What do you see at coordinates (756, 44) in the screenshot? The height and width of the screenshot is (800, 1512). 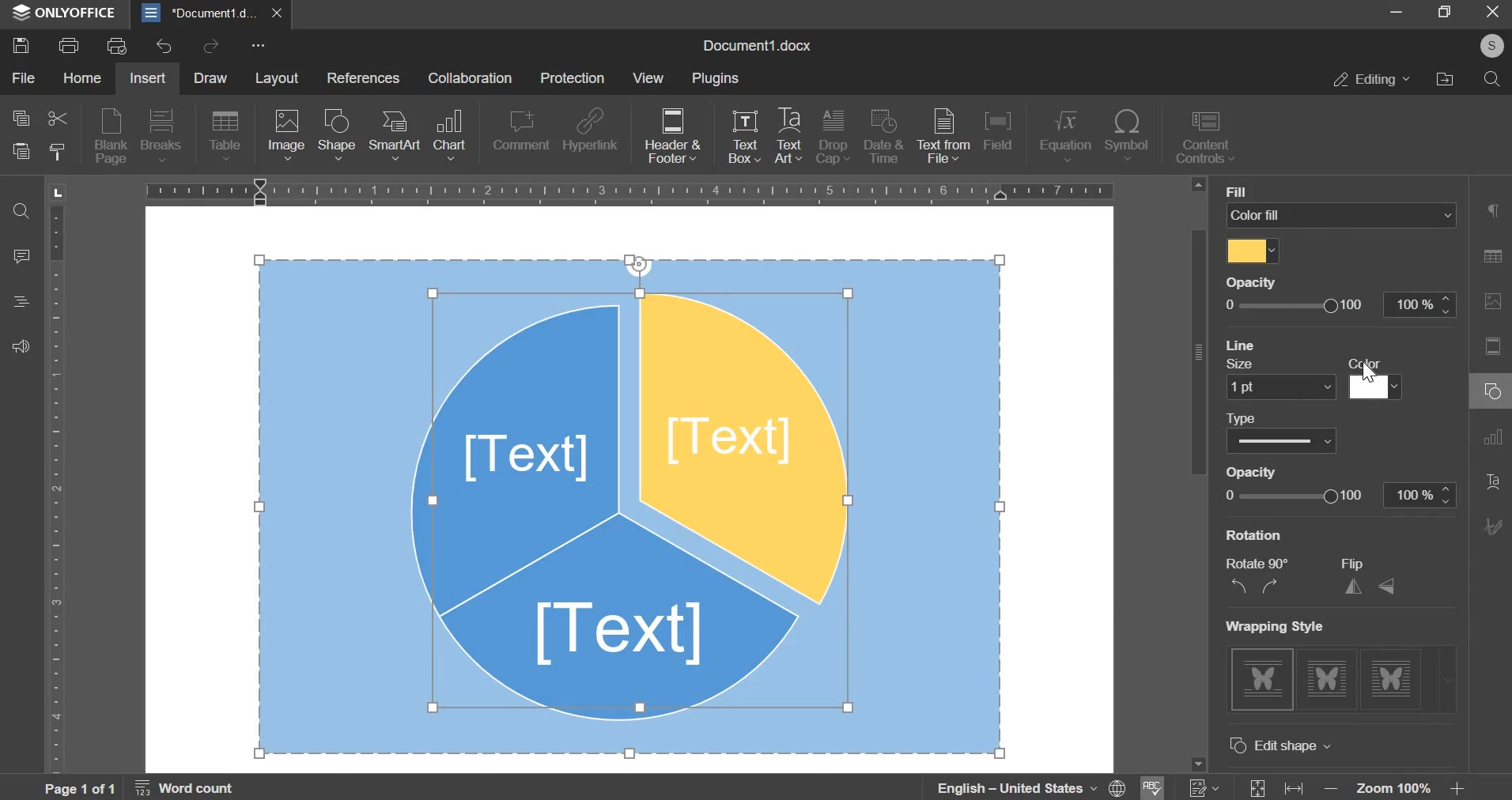 I see `Document1.docx` at bounding box center [756, 44].